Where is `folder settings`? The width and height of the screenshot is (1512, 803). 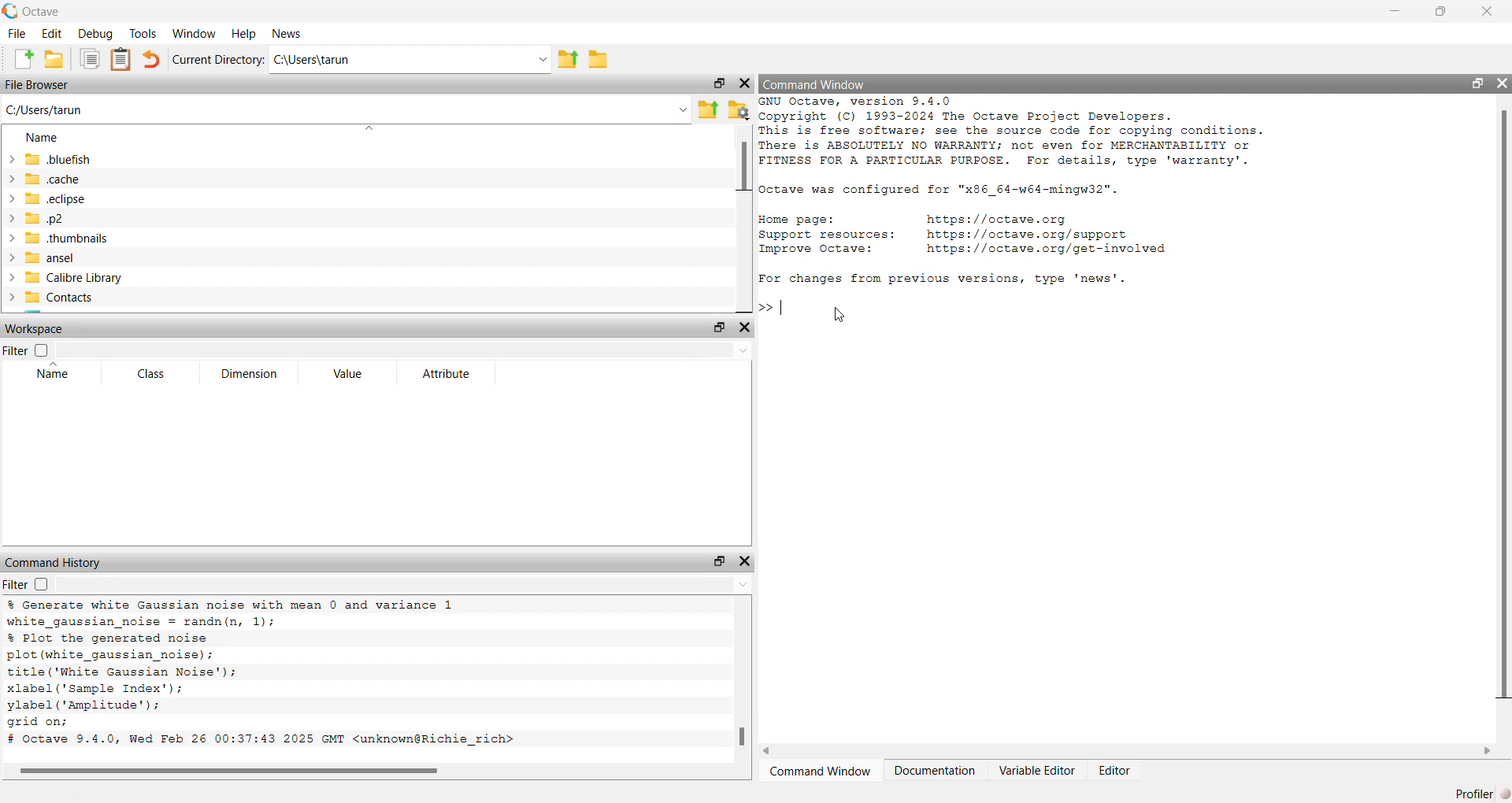
folder settings is located at coordinates (736, 111).